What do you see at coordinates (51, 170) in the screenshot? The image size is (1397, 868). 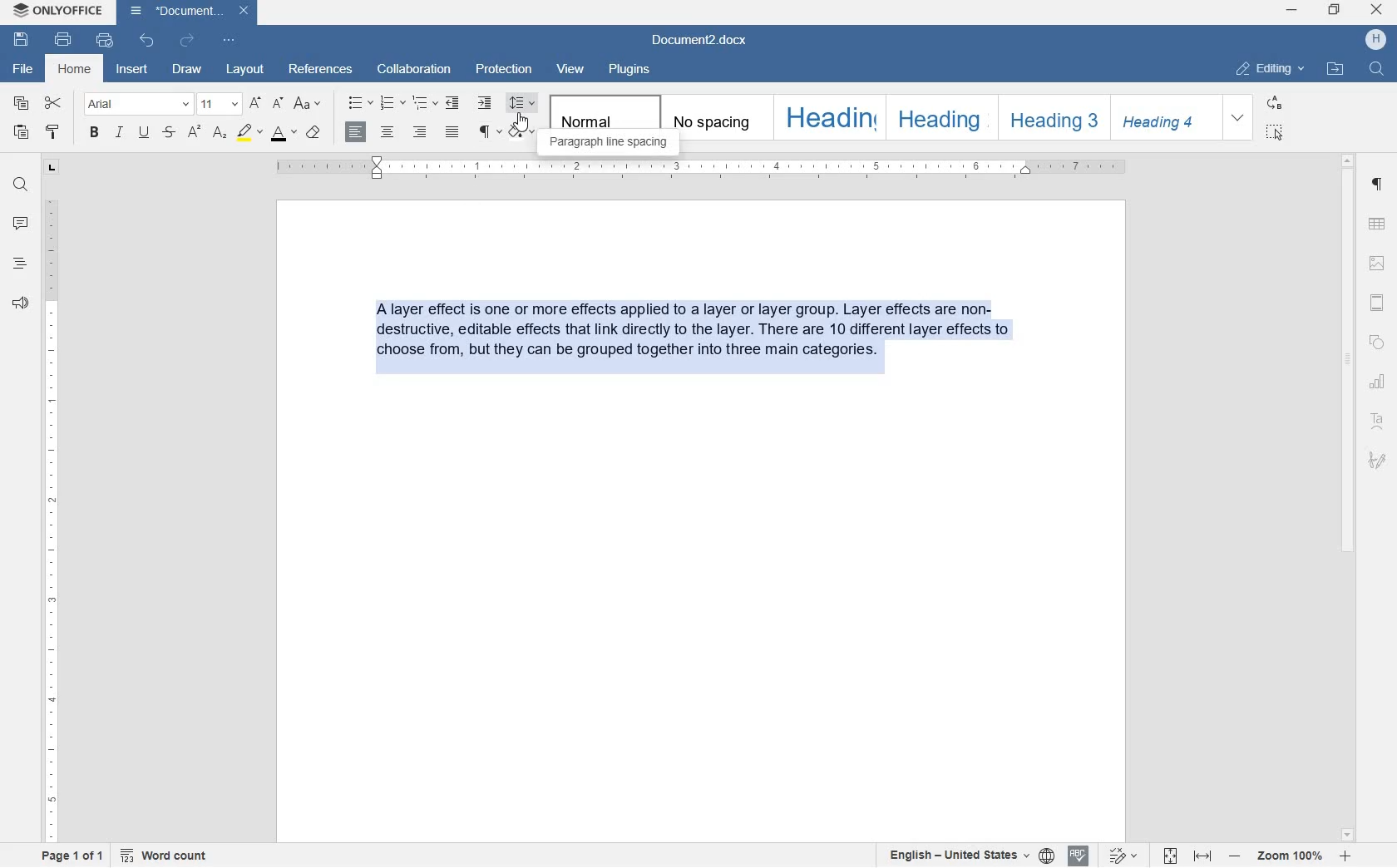 I see `tab stop` at bounding box center [51, 170].